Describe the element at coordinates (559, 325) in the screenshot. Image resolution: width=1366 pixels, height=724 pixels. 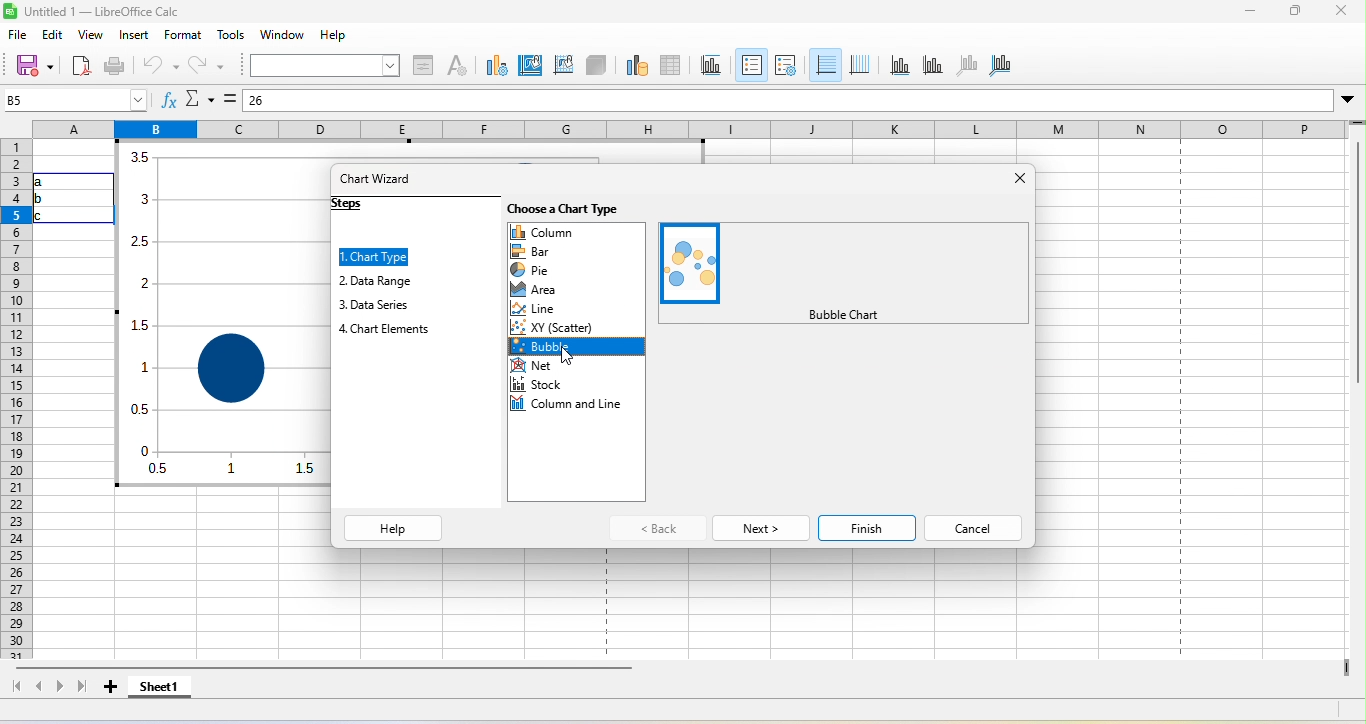
I see `xy` at that location.